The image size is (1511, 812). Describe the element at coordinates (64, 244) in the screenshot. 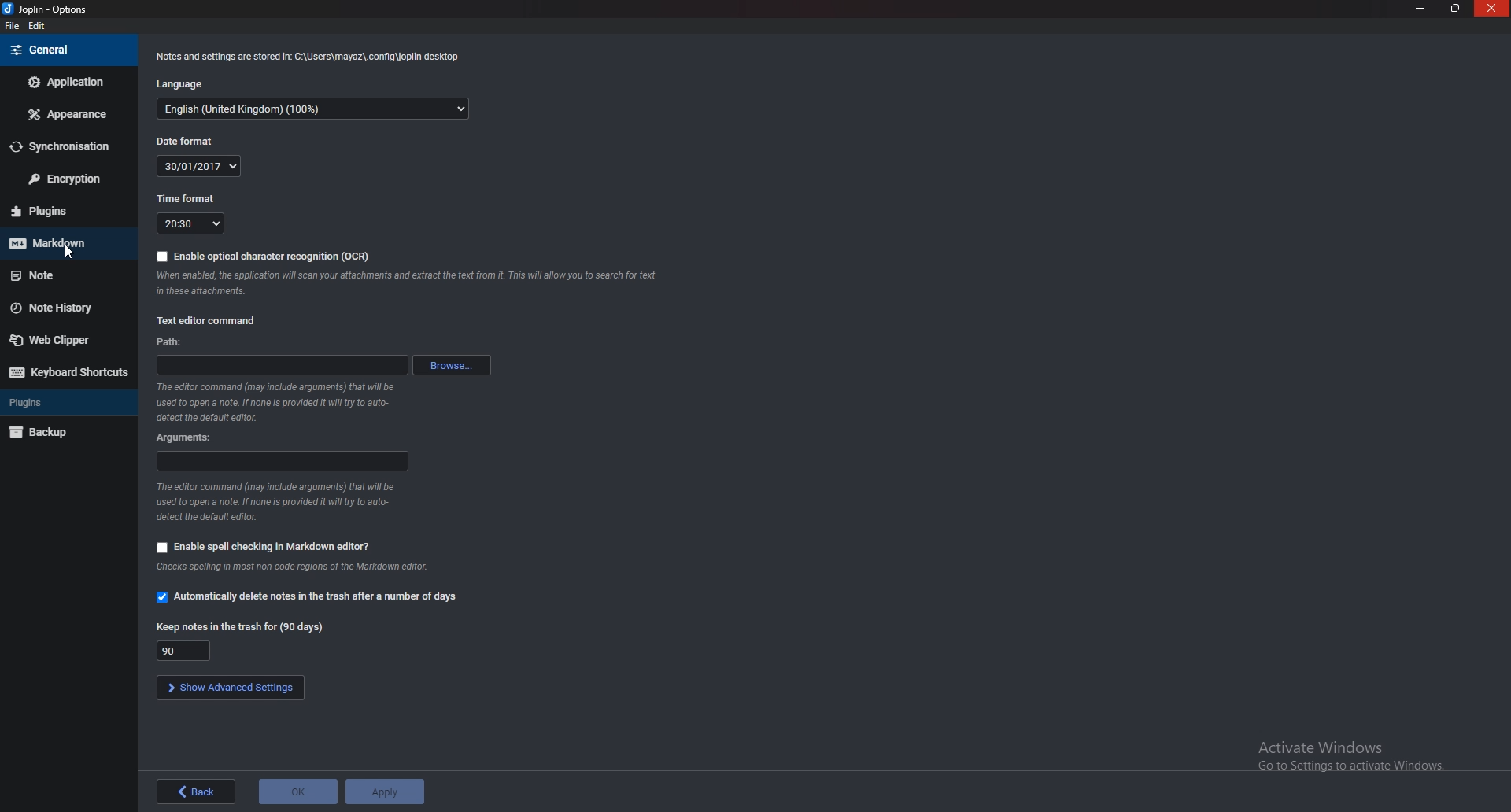

I see `Mark down` at that location.